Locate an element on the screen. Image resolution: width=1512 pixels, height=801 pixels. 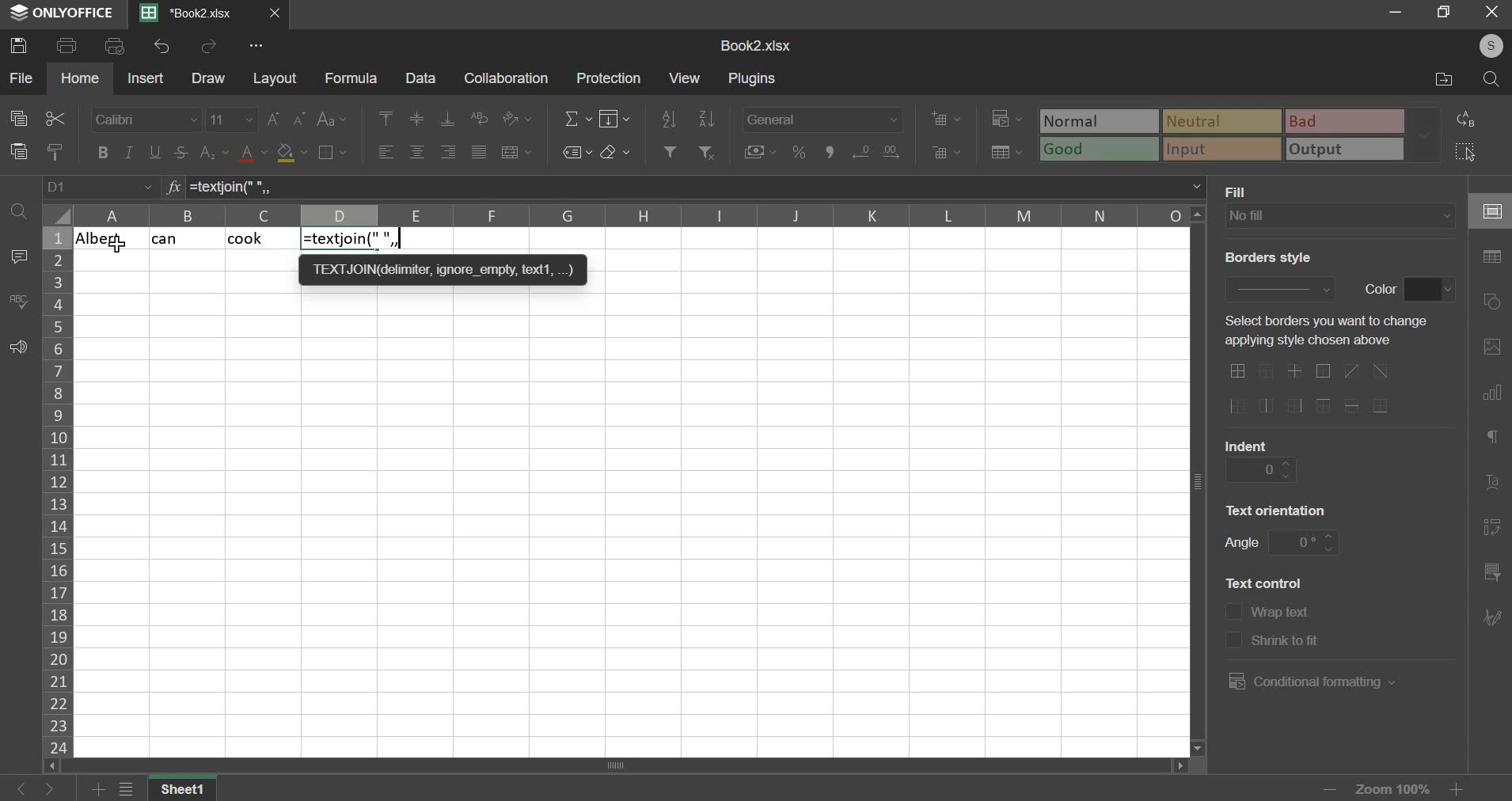
Current sheets is located at coordinates (194, 13).